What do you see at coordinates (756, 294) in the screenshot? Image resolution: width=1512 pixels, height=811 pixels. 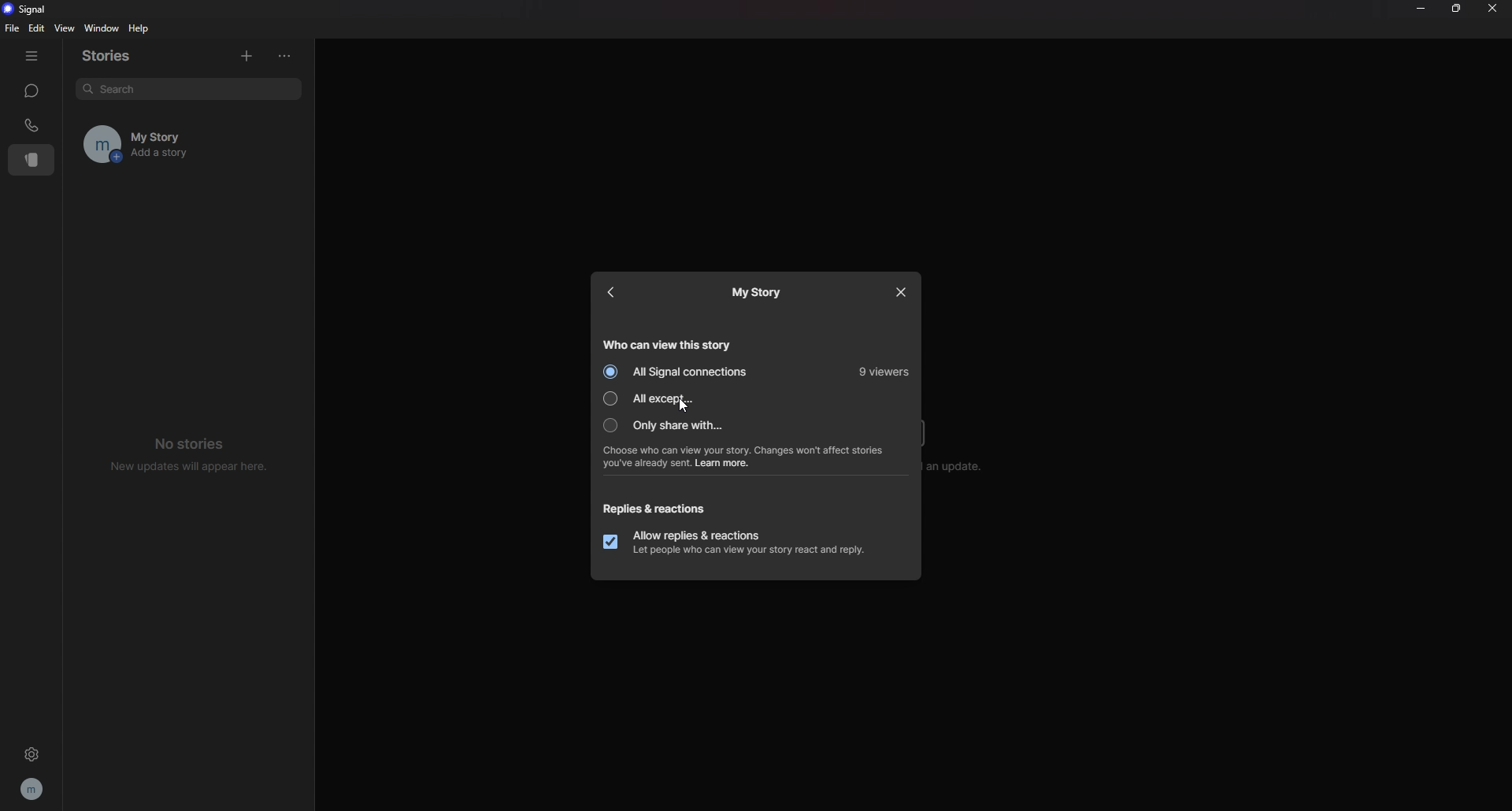 I see `my story` at bounding box center [756, 294].